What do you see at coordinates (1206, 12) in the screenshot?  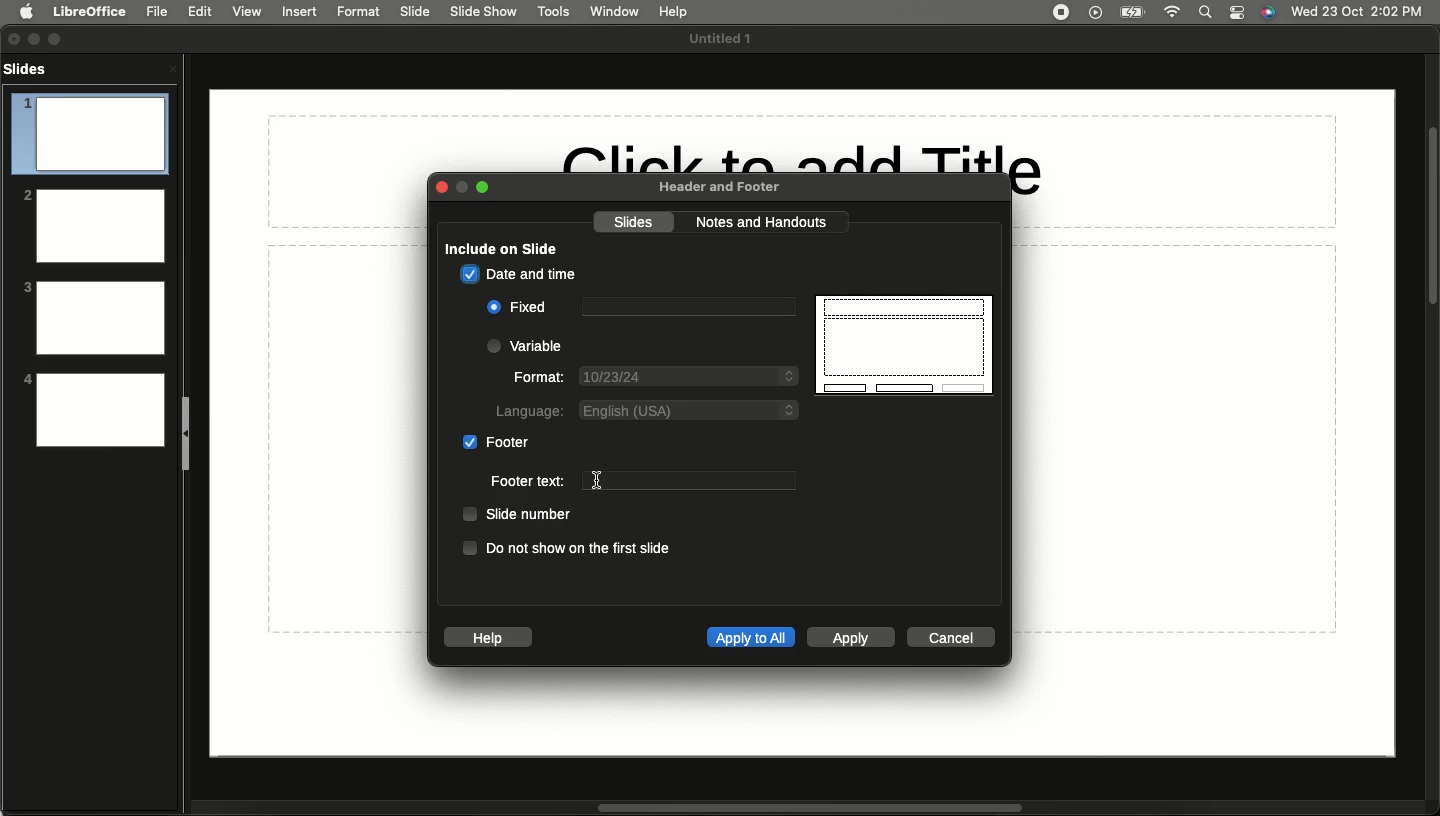 I see `Search` at bounding box center [1206, 12].